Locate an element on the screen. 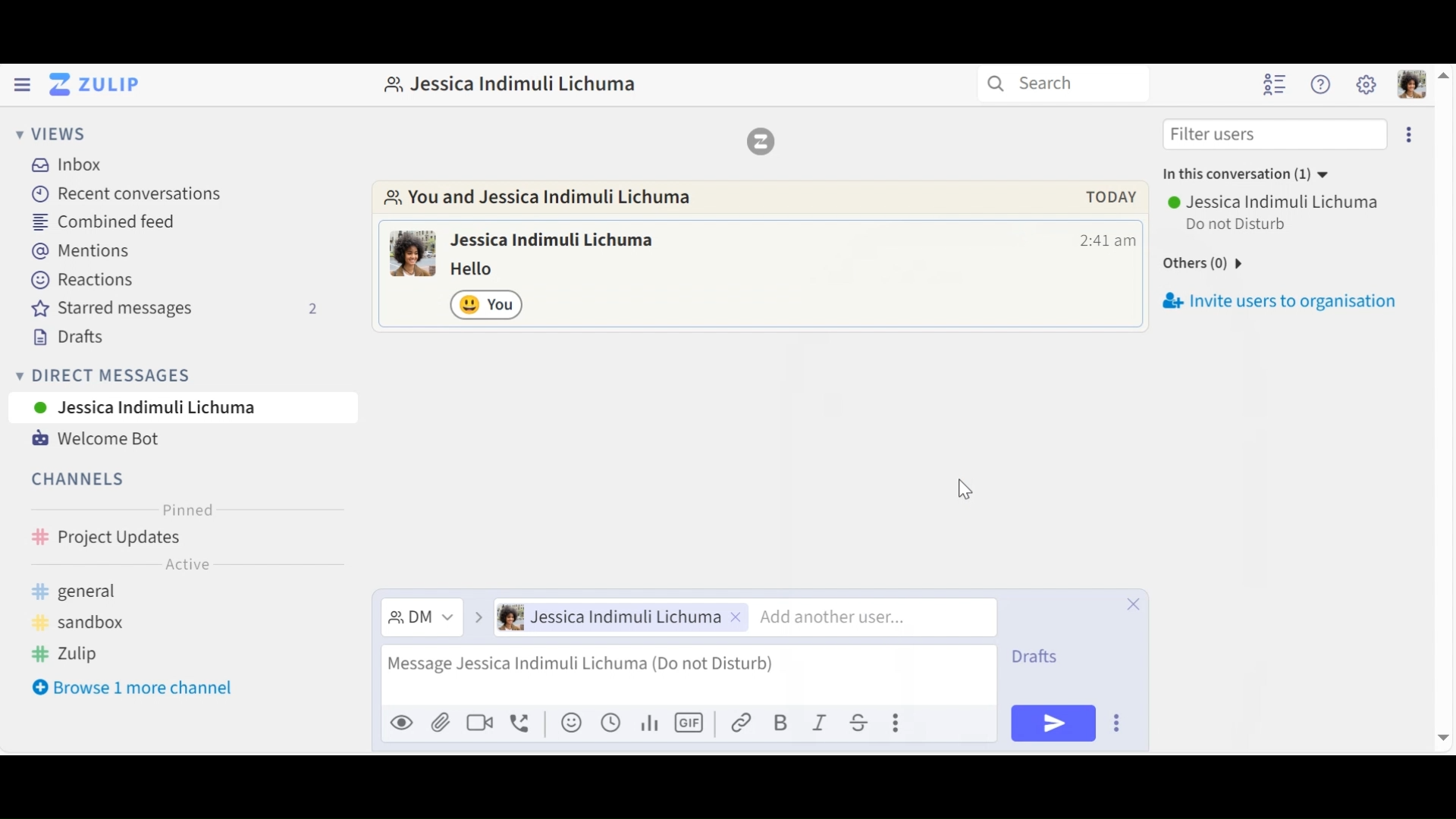  Add GIF is located at coordinates (689, 721).